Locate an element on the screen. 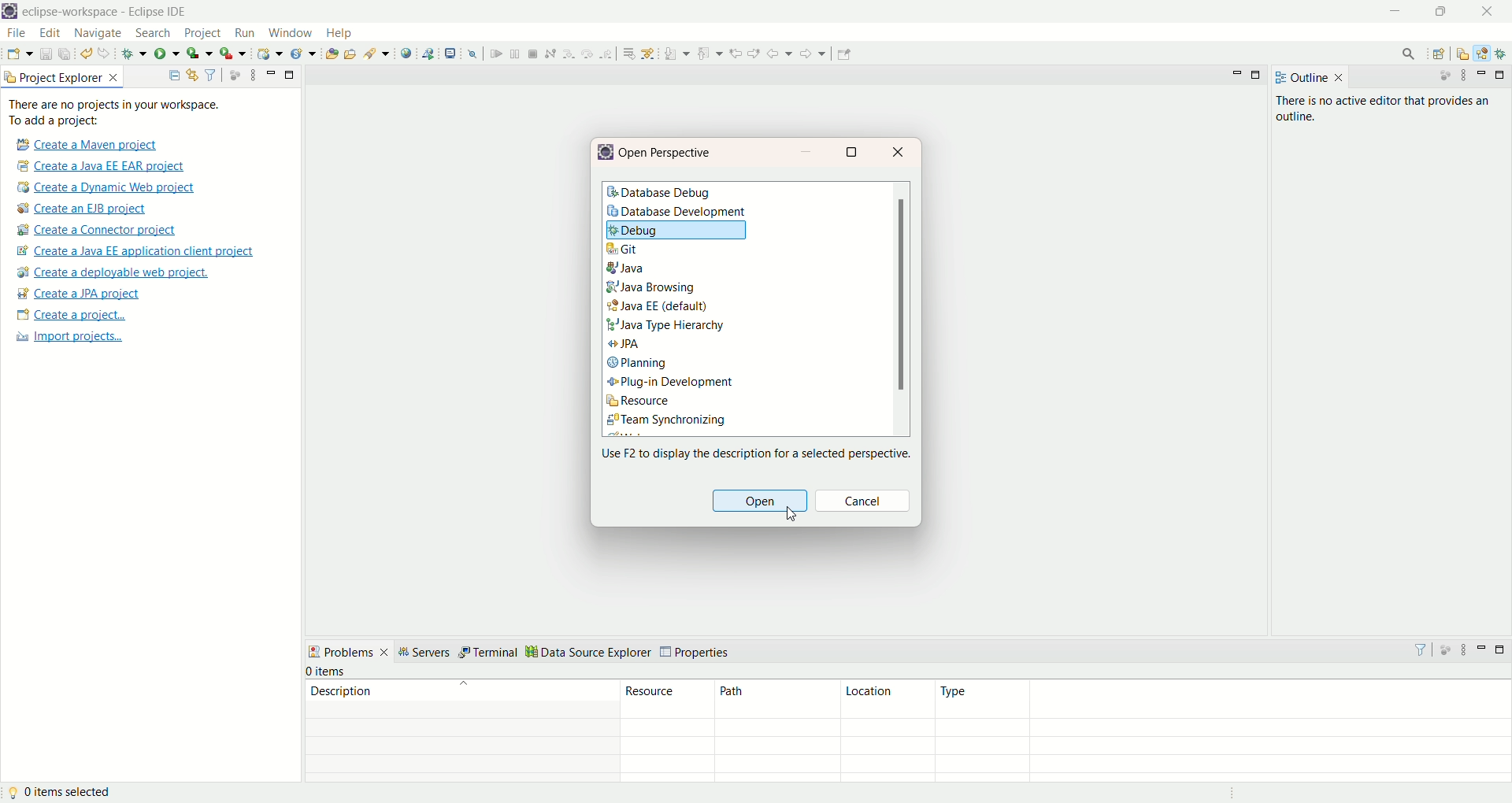 This screenshot has height=803, width=1512. resources is located at coordinates (668, 732).